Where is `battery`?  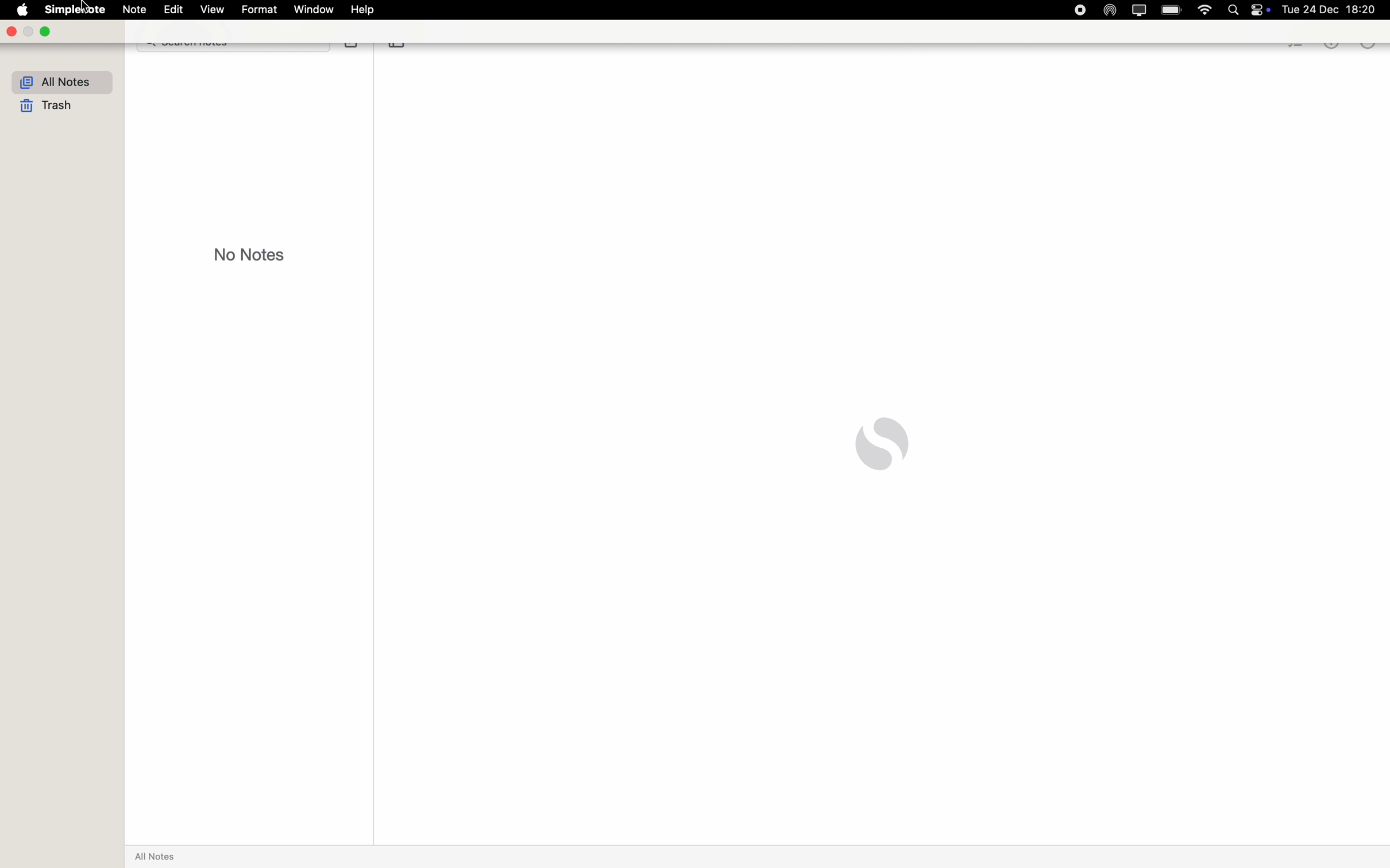 battery is located at coordinates (1173, 10).